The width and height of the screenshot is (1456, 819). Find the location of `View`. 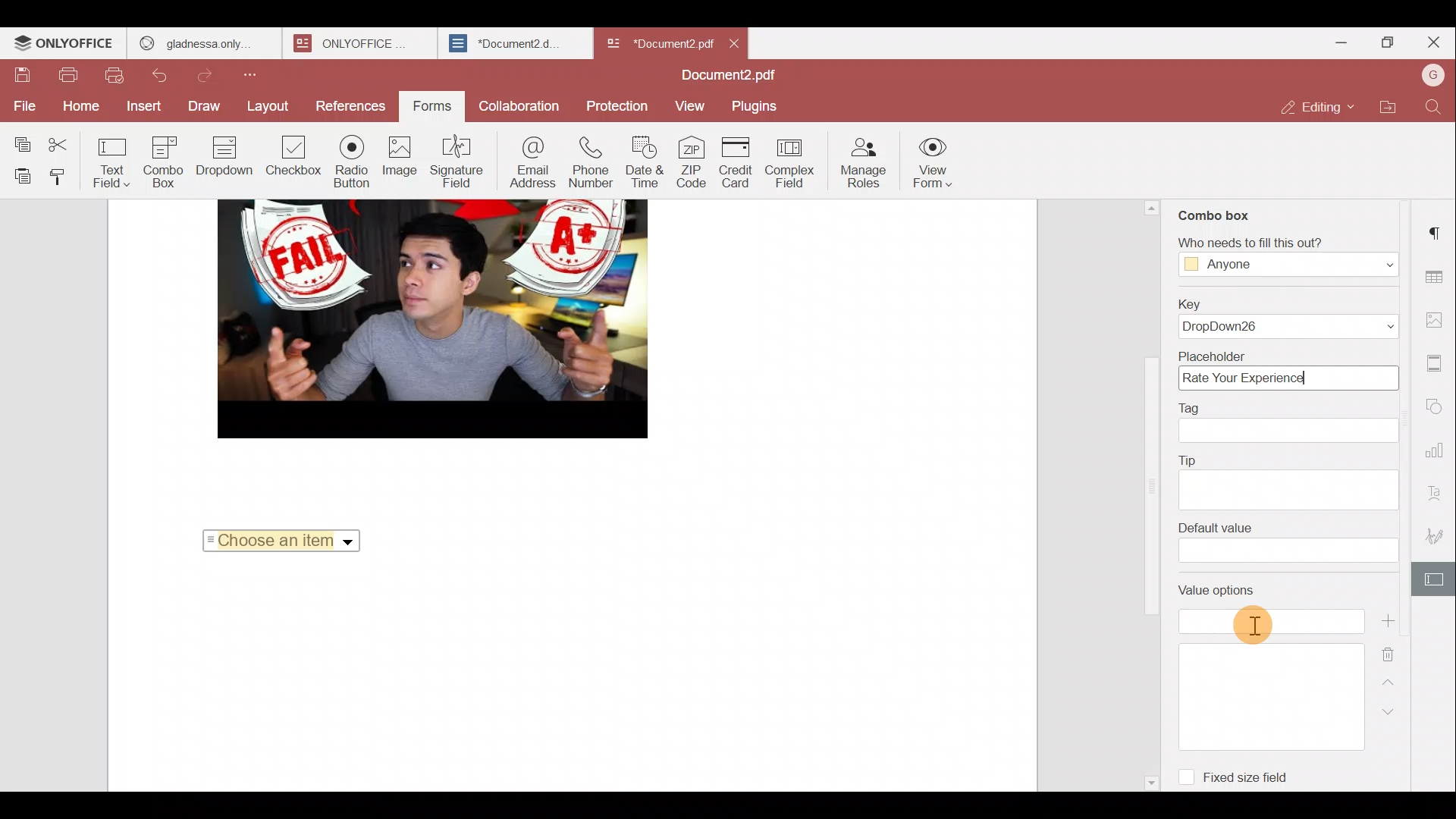

View is located at coordinates (692, 105).